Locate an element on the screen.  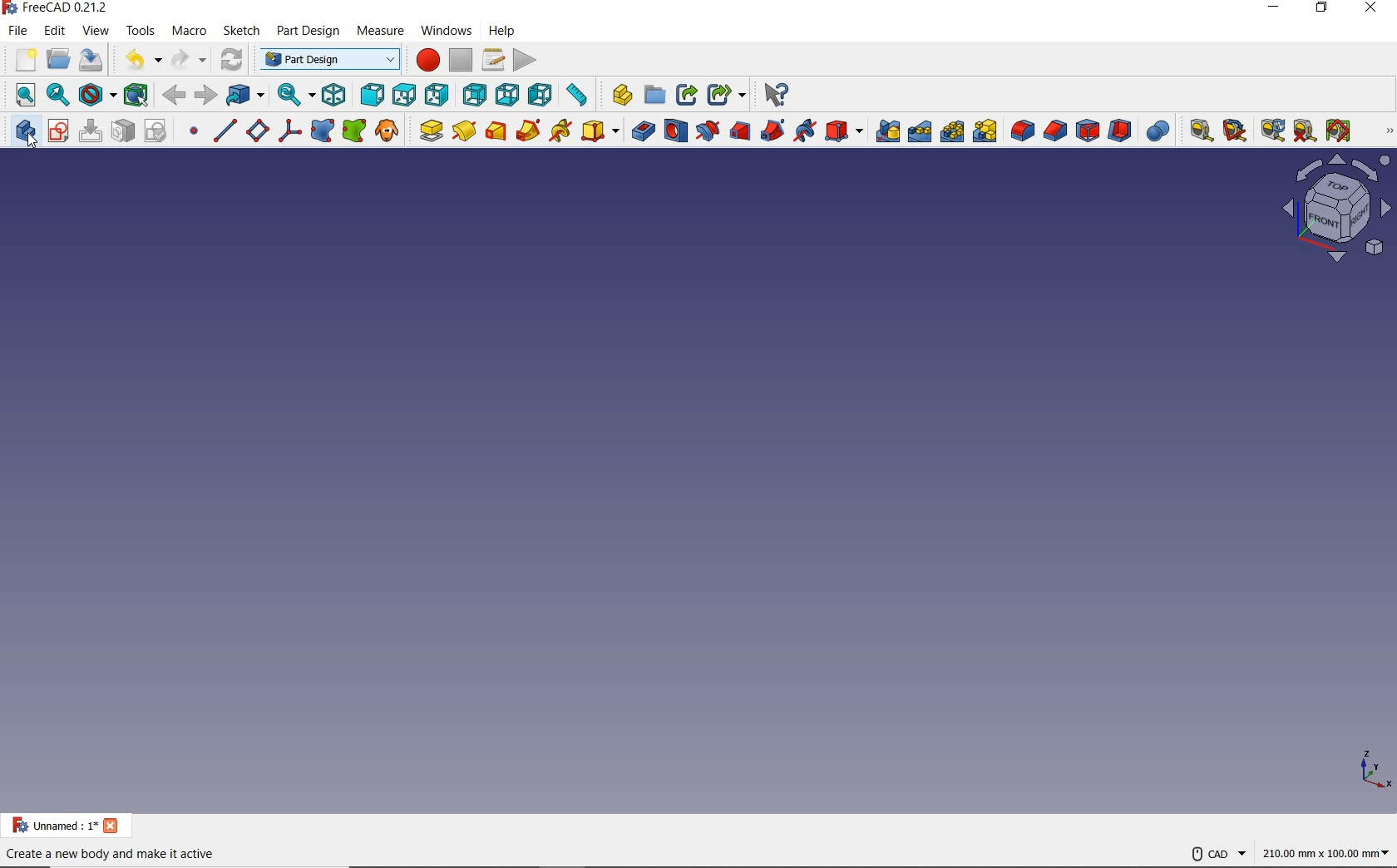
FILLET is located at coordinates (1023, 131).